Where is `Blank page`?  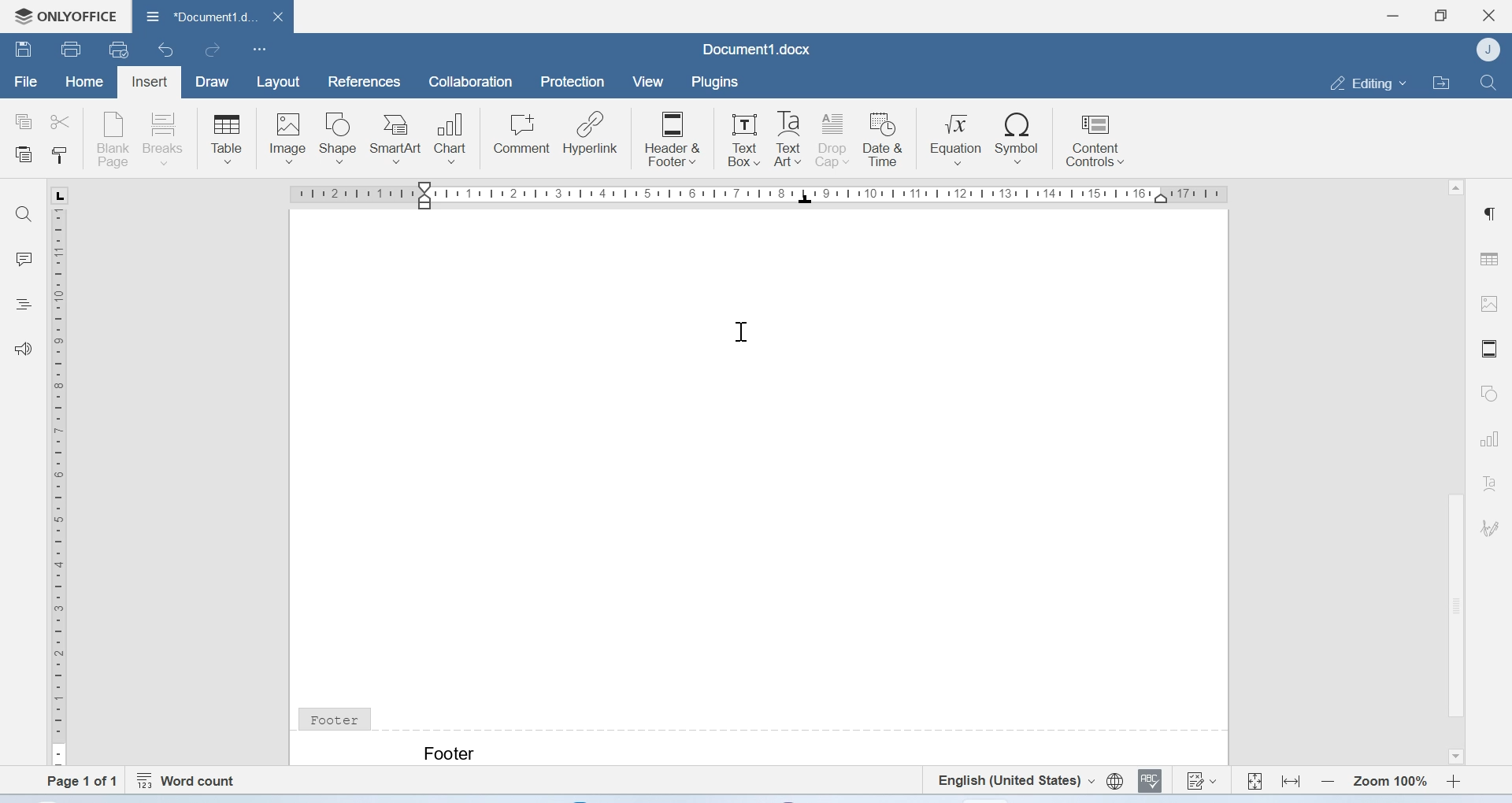 Blank page is located at coordinates (114, 138).